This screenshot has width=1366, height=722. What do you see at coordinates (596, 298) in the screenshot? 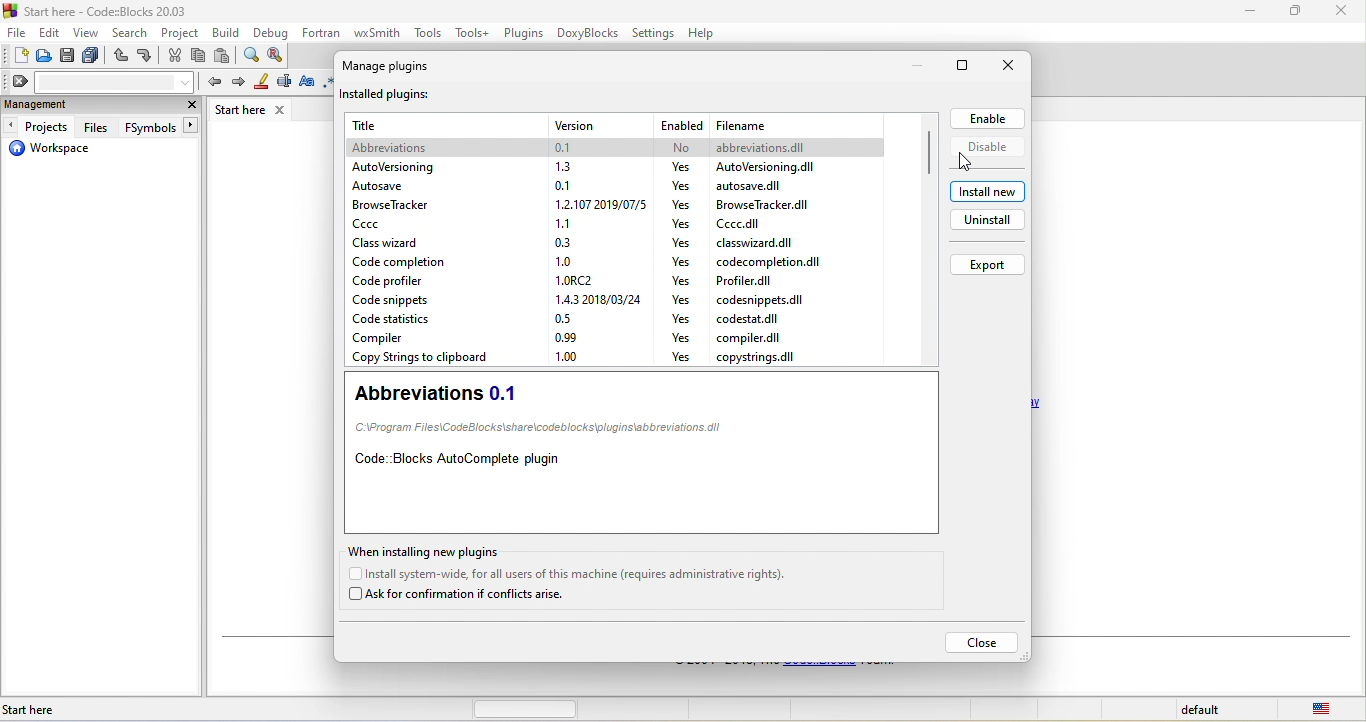
I see `version ` at bounding box center [596, 298].